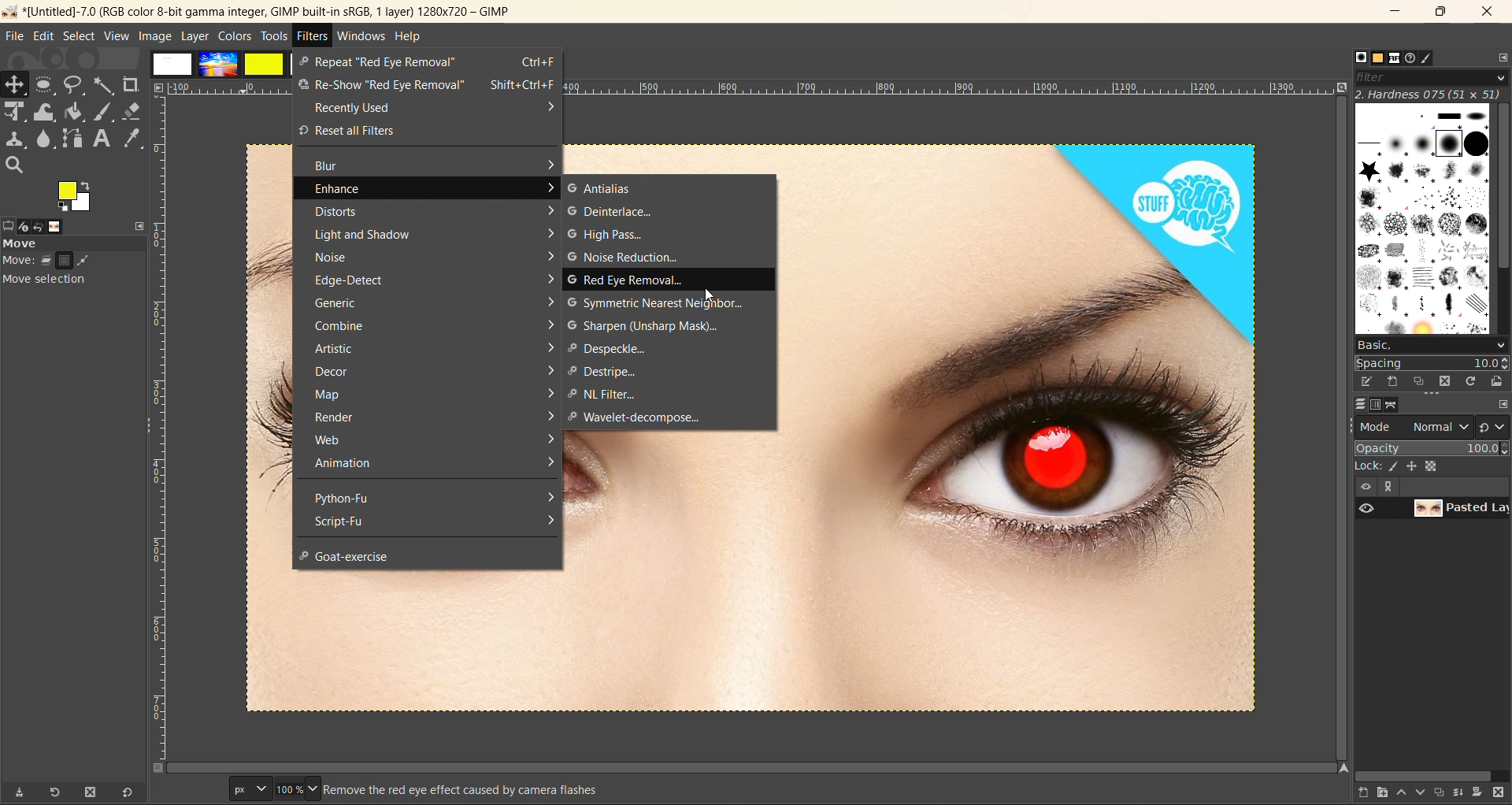  I want to click on deinterface, so click(614, 212).